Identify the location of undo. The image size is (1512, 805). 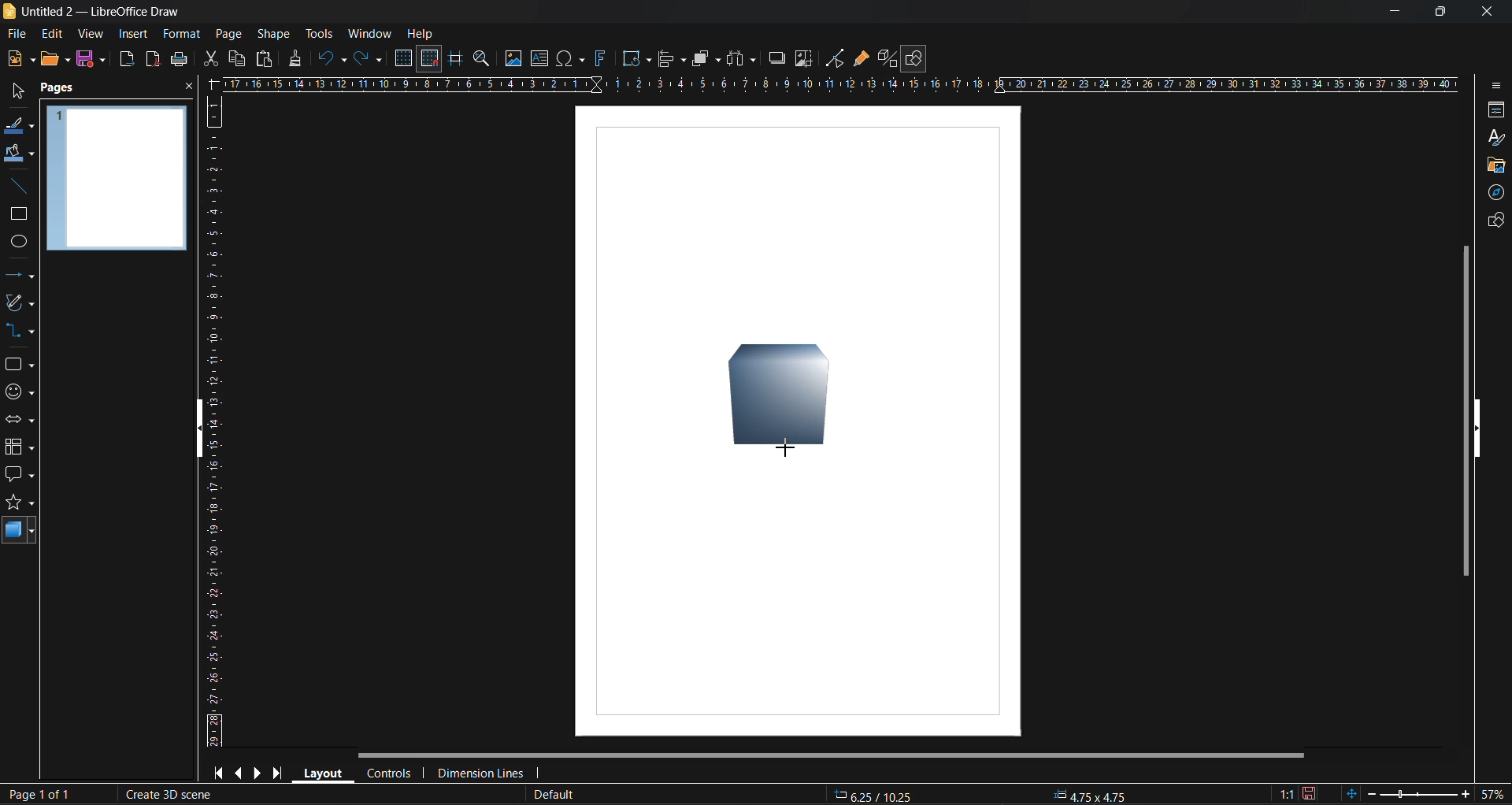
(333, 59).